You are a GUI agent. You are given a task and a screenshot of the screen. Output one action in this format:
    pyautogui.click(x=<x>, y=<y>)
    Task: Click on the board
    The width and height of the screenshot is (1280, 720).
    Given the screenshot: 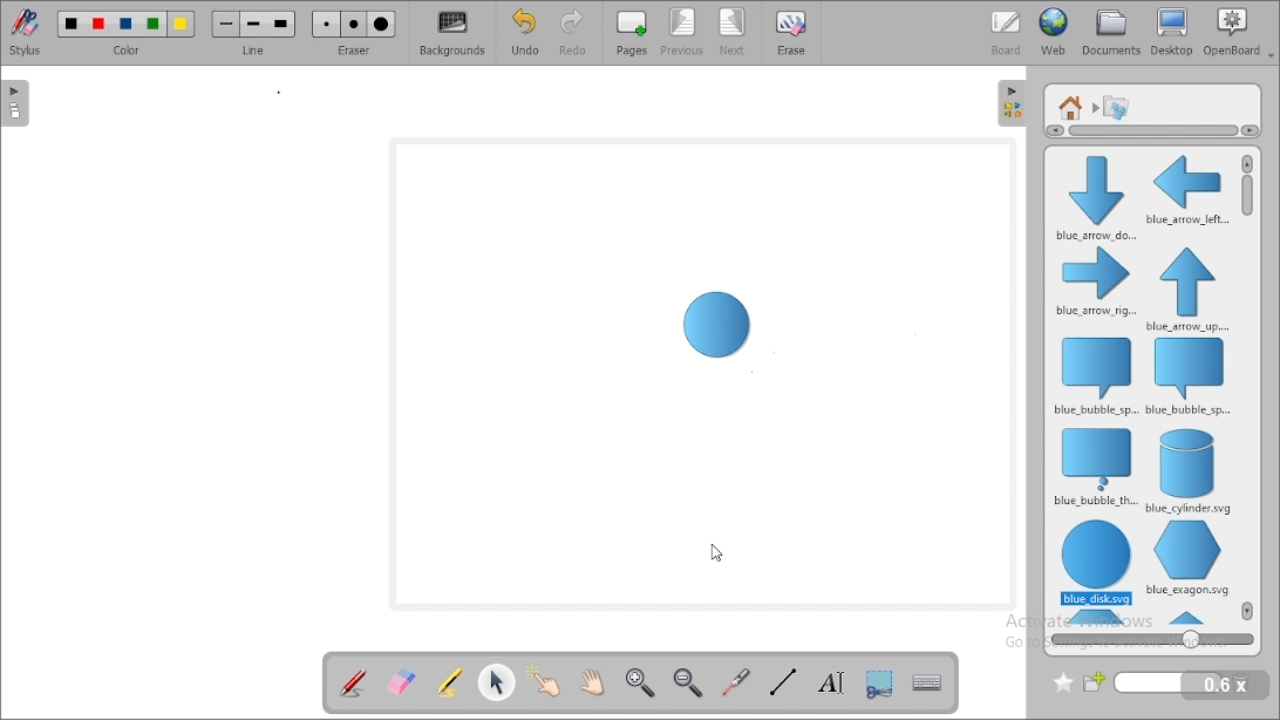 What is the action you would take?
    pyautogui.click(x=1006, y=32)
    